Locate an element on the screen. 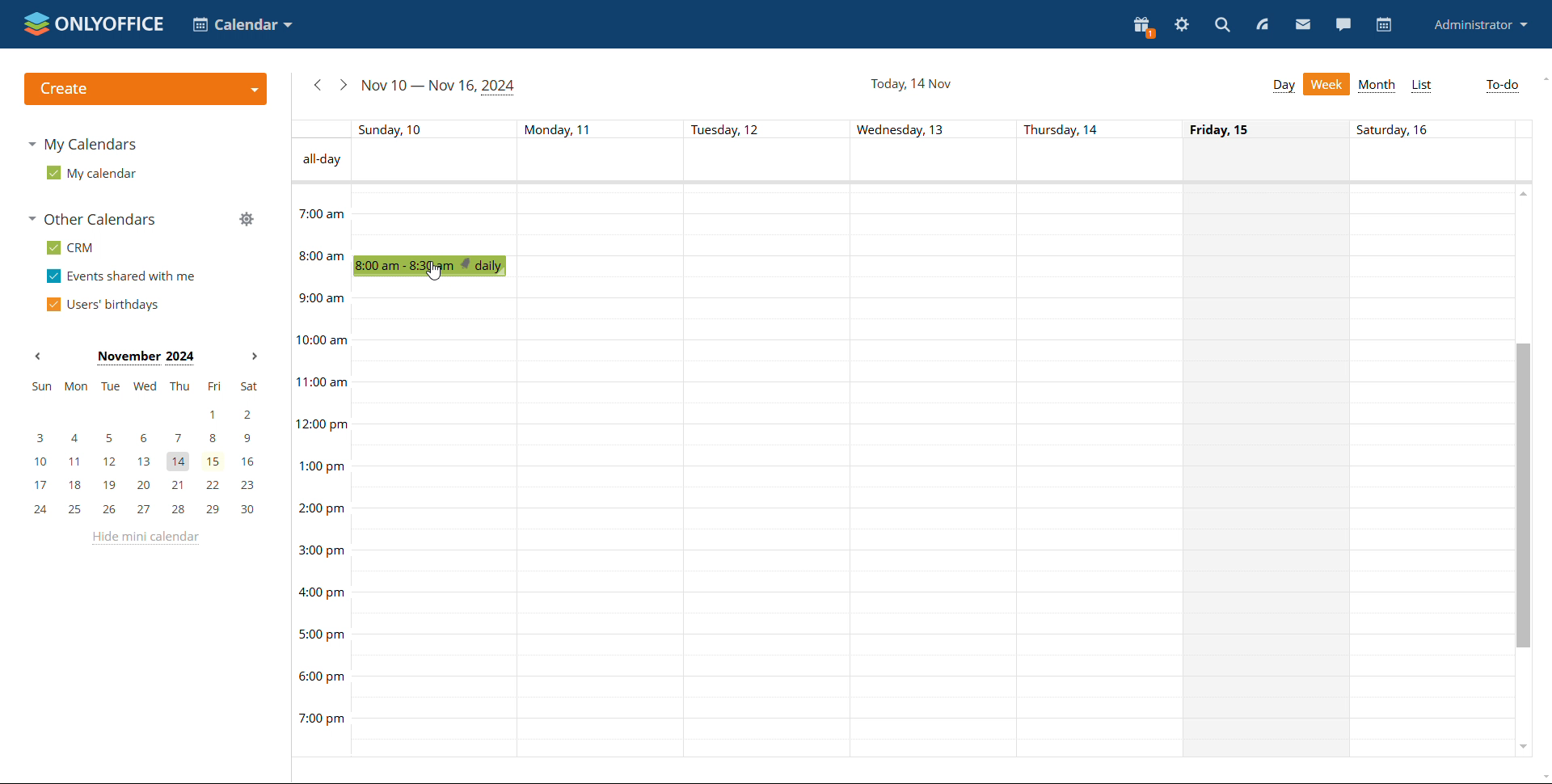 The image size is (1552, 784). cursor is located at coordinates (435, 270).